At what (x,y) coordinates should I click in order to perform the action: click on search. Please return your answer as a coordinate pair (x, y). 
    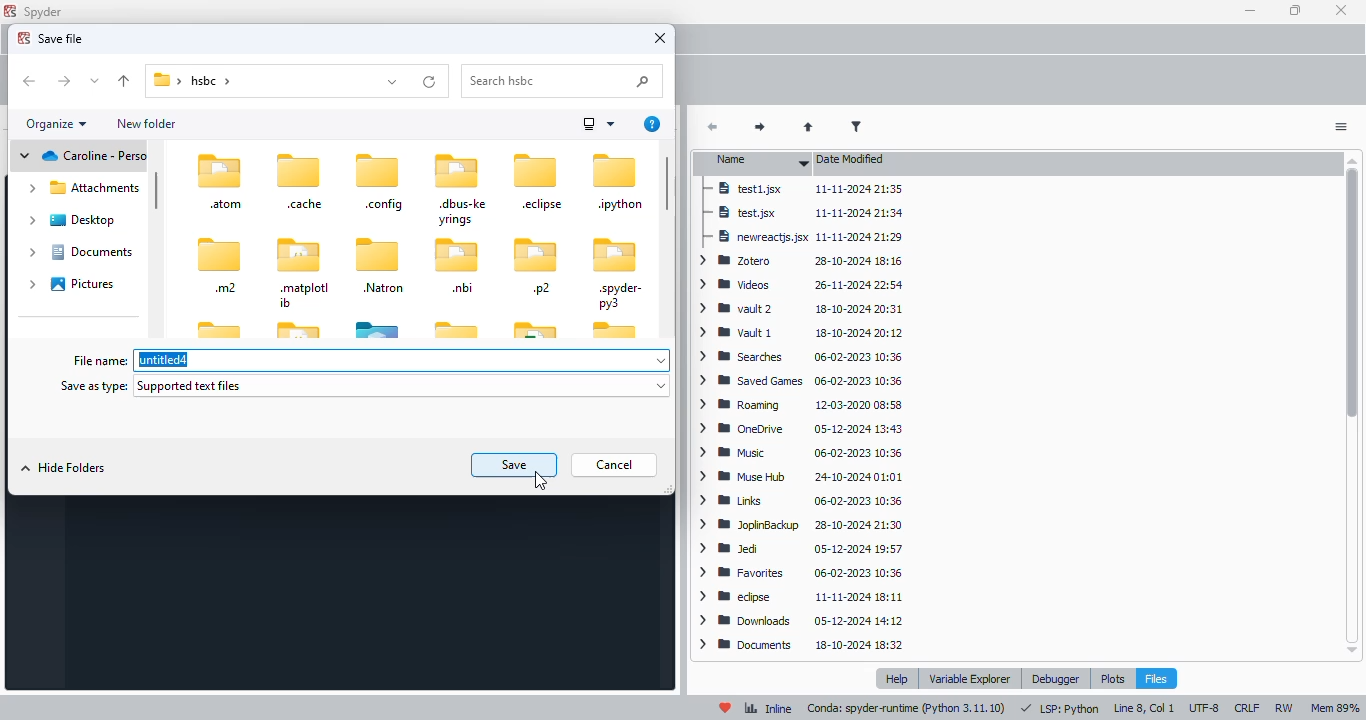
    Looking at the image, I should click on (562, 81).